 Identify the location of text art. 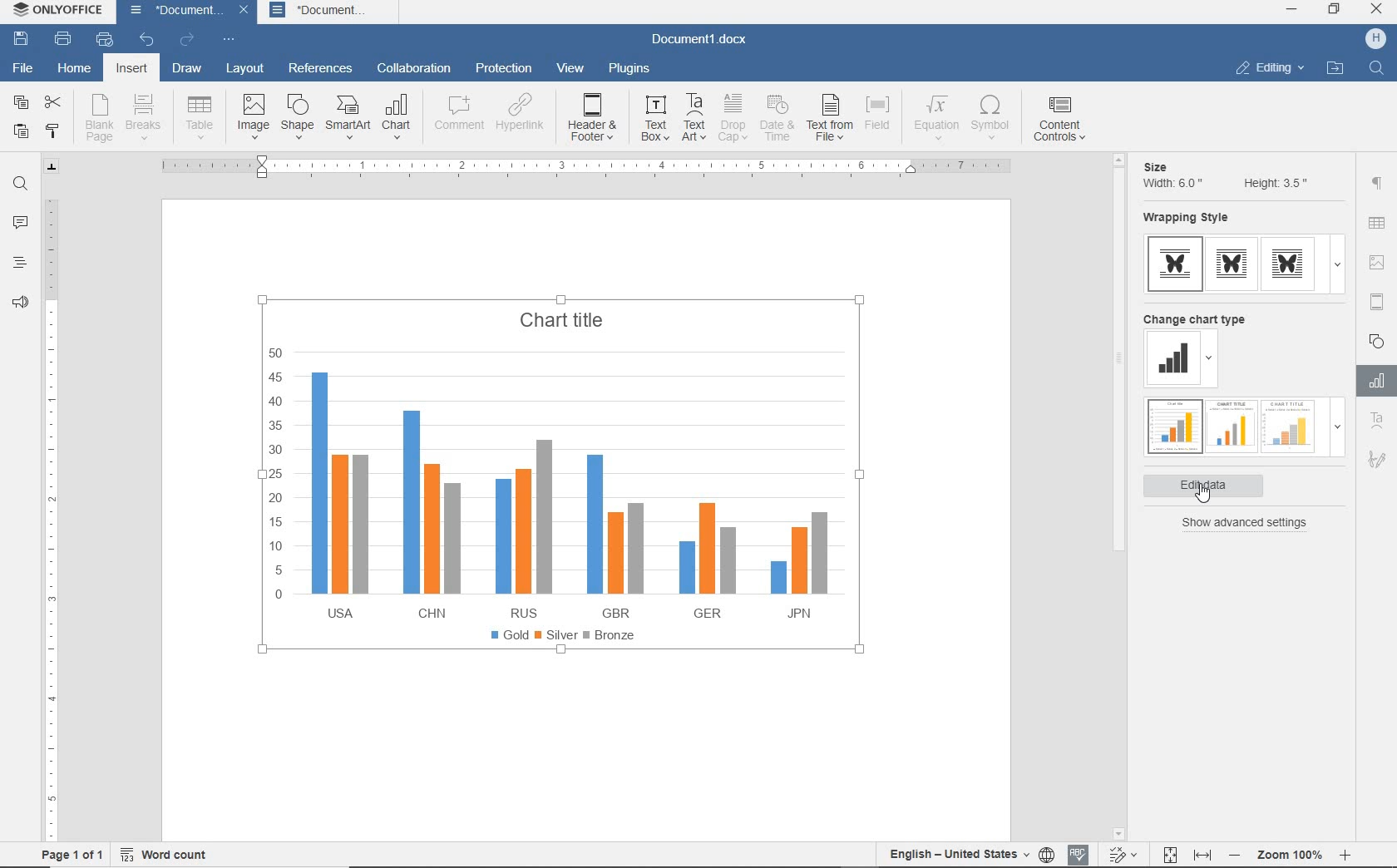
(694, 120).